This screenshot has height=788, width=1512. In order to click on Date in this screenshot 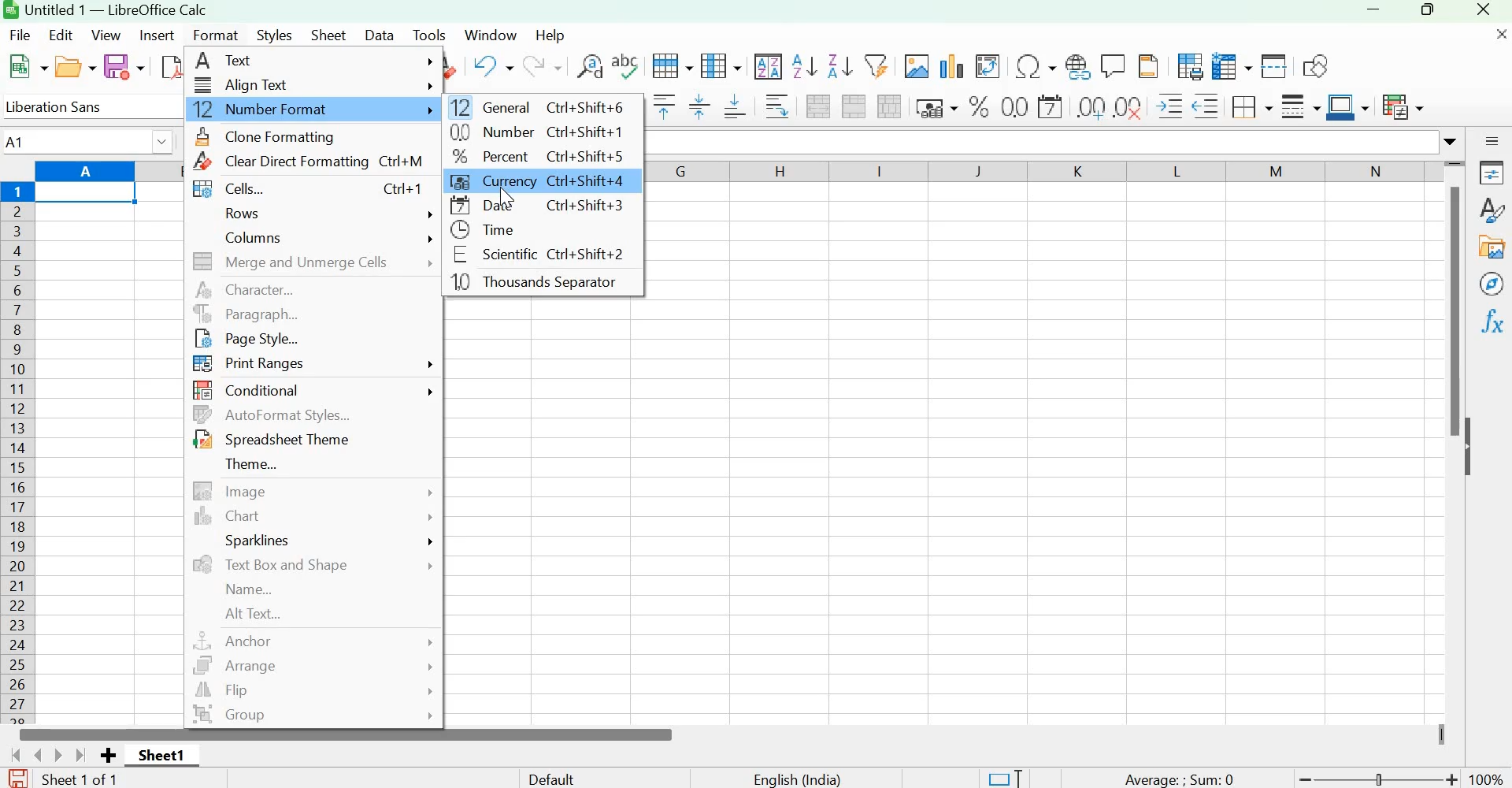, I will do `click(544, 207)`.